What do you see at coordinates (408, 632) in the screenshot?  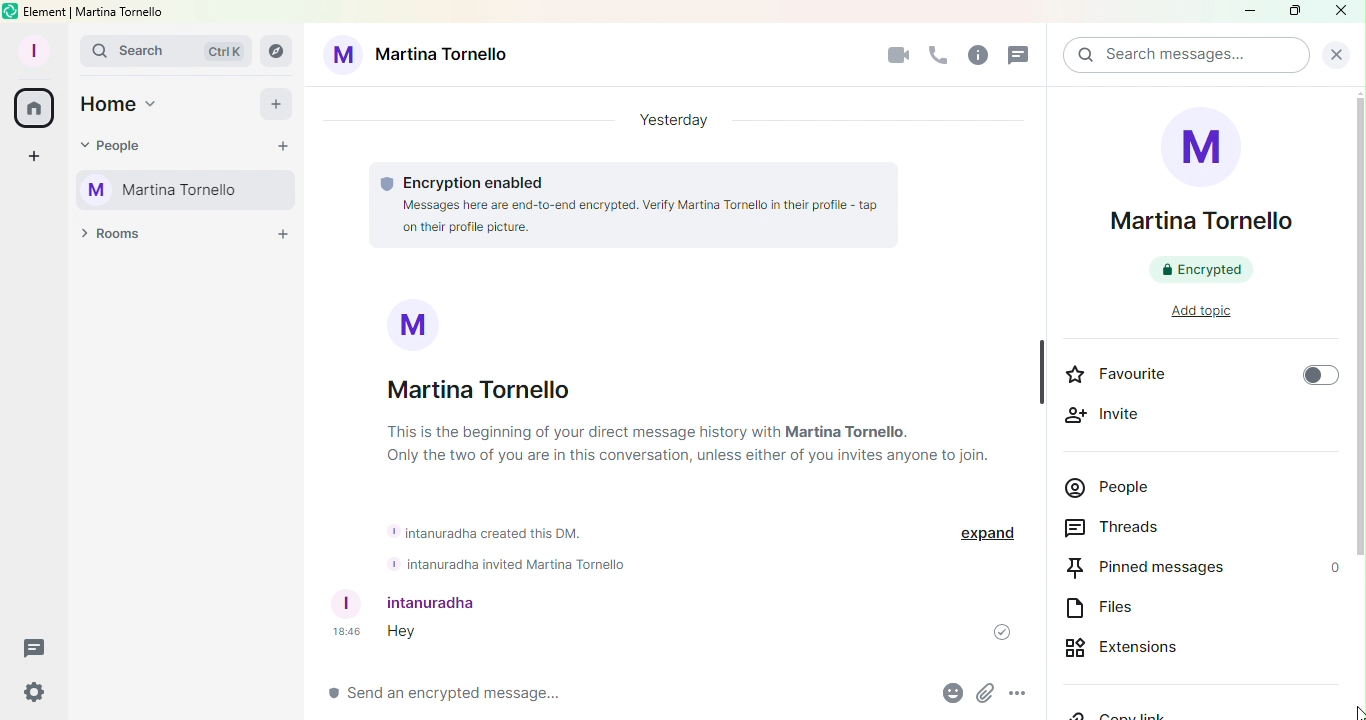 I see `hey` at bounding box center [408, 632].